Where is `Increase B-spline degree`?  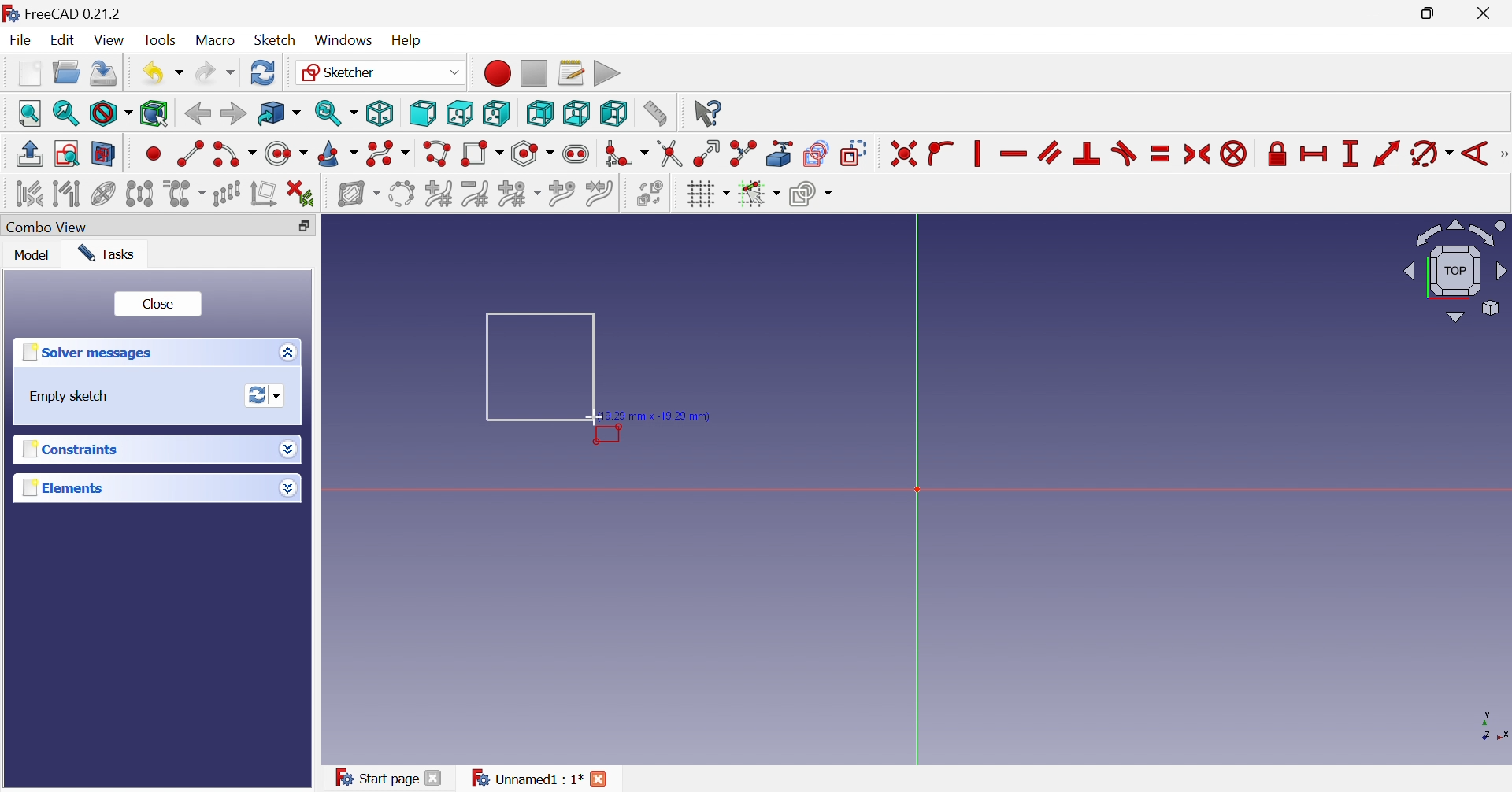
Increase B-spline degree is located at coordinates (438, 193).